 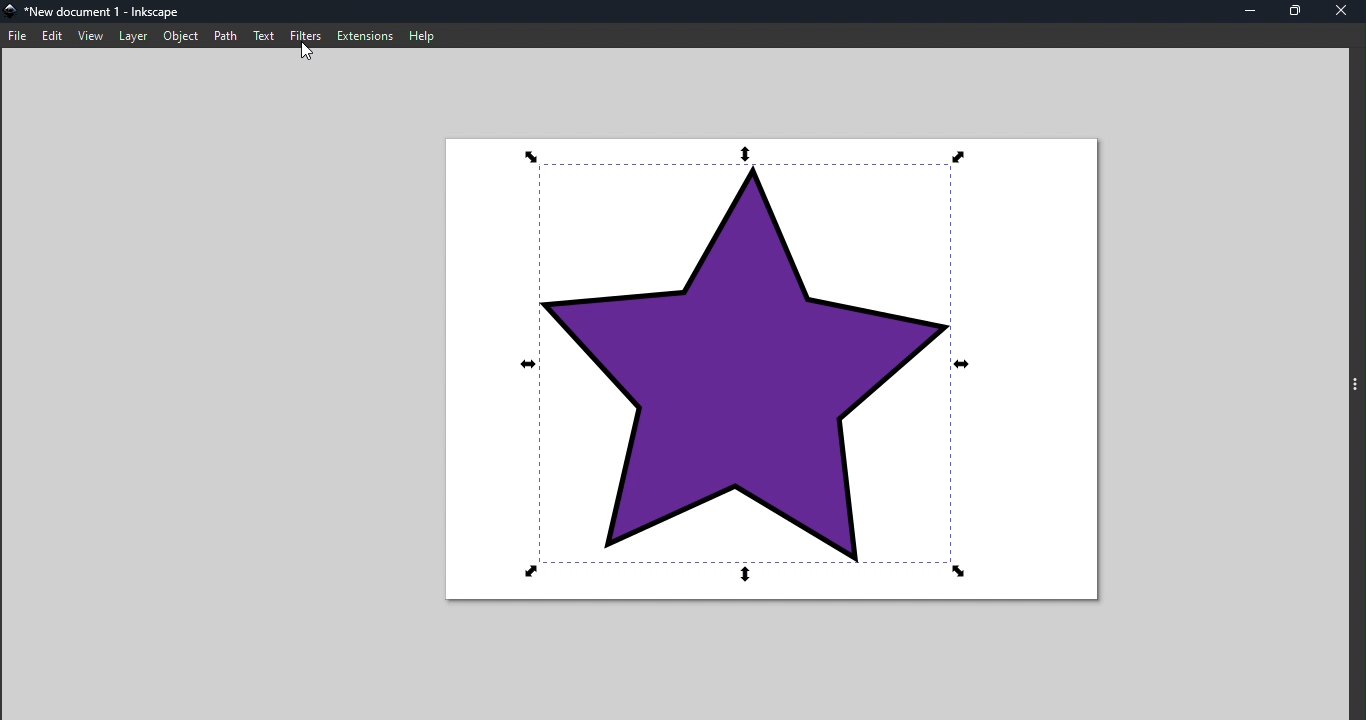 What do you see at coordinates (308, 36) in the screenshot?
I see `Filters` at bounding box center [308, 36].